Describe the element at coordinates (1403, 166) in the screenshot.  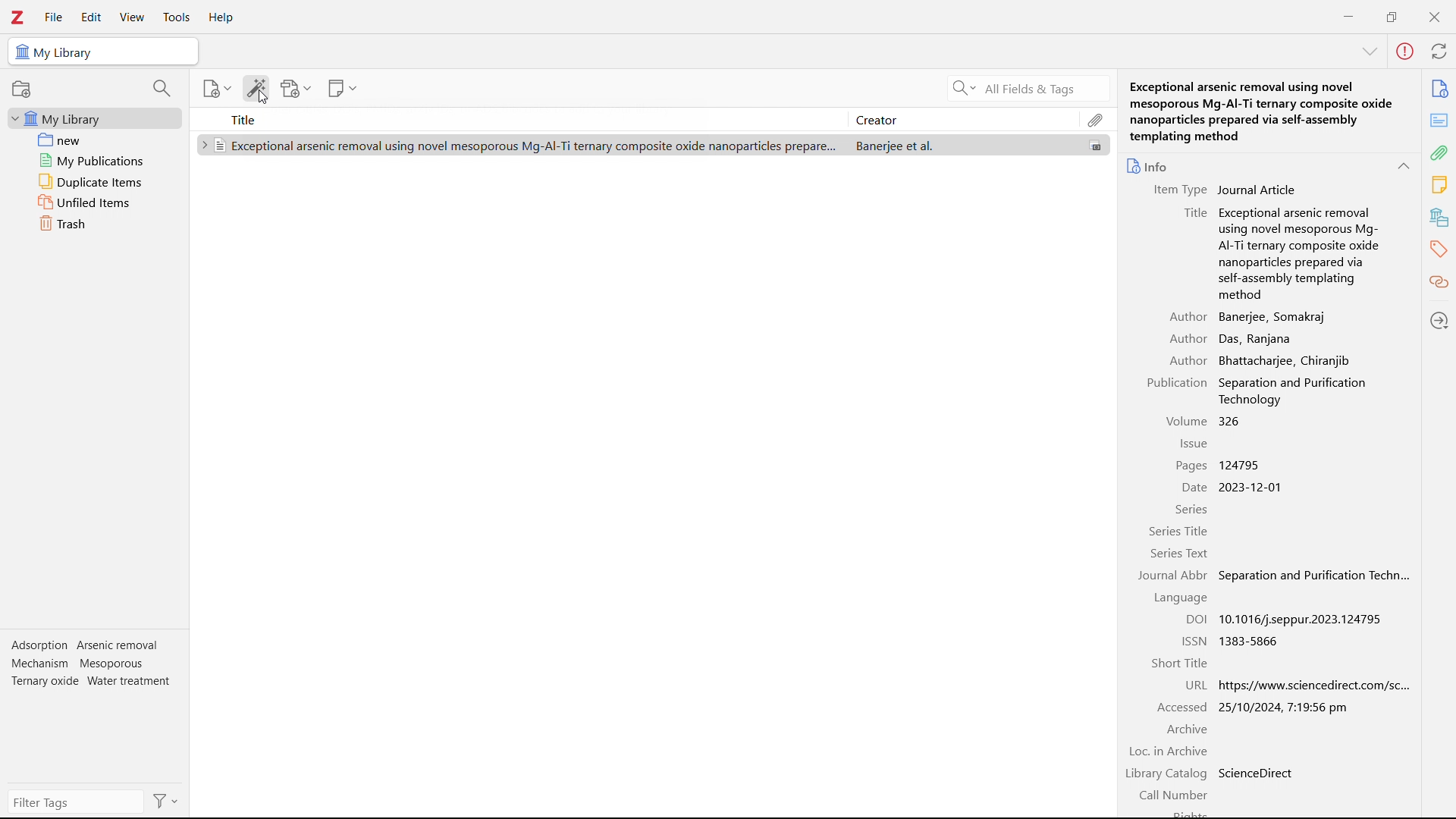
I see `collapse info` at that location.